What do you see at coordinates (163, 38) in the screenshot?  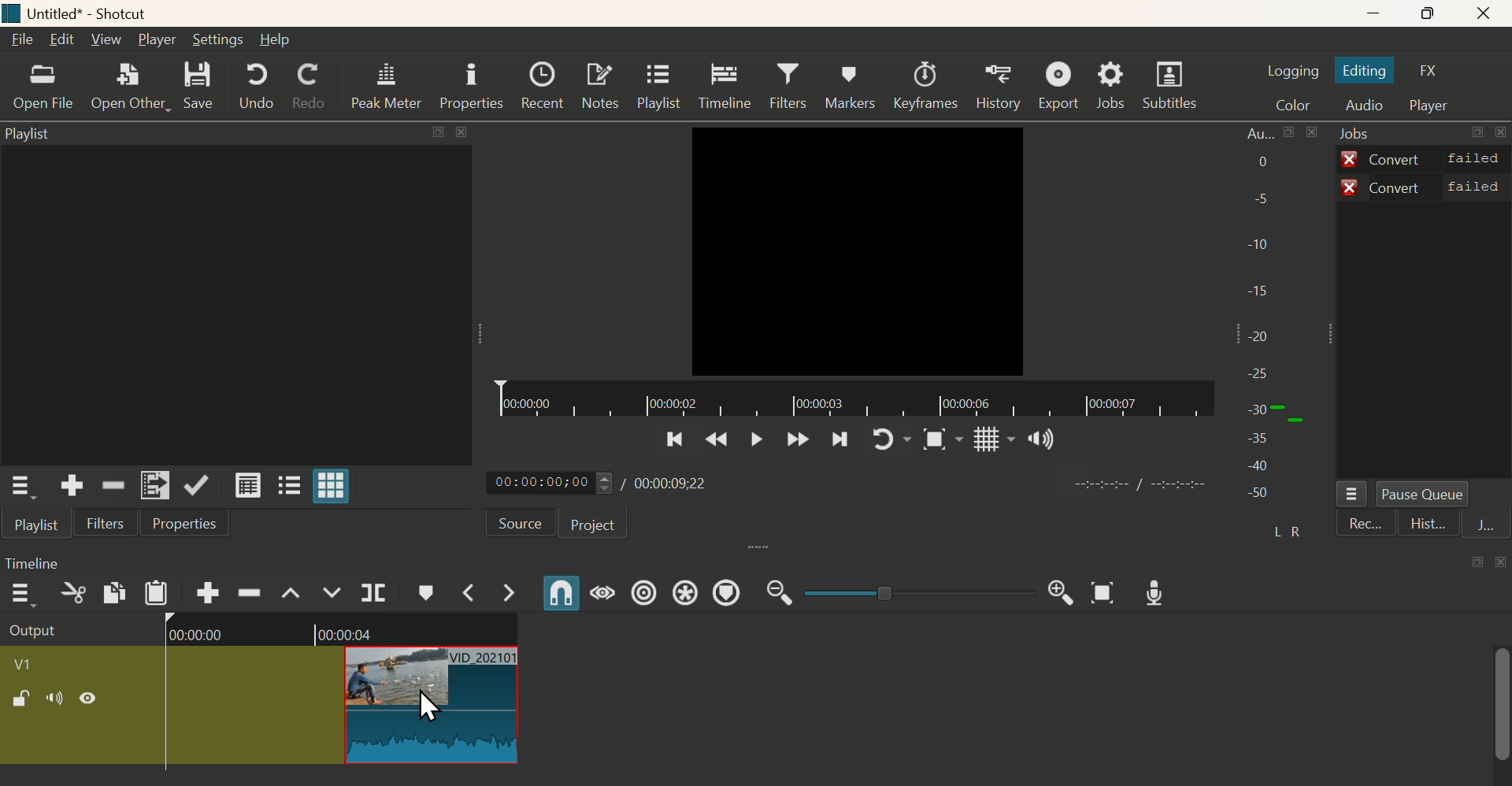 I see `` at bounding box center [163, 38].